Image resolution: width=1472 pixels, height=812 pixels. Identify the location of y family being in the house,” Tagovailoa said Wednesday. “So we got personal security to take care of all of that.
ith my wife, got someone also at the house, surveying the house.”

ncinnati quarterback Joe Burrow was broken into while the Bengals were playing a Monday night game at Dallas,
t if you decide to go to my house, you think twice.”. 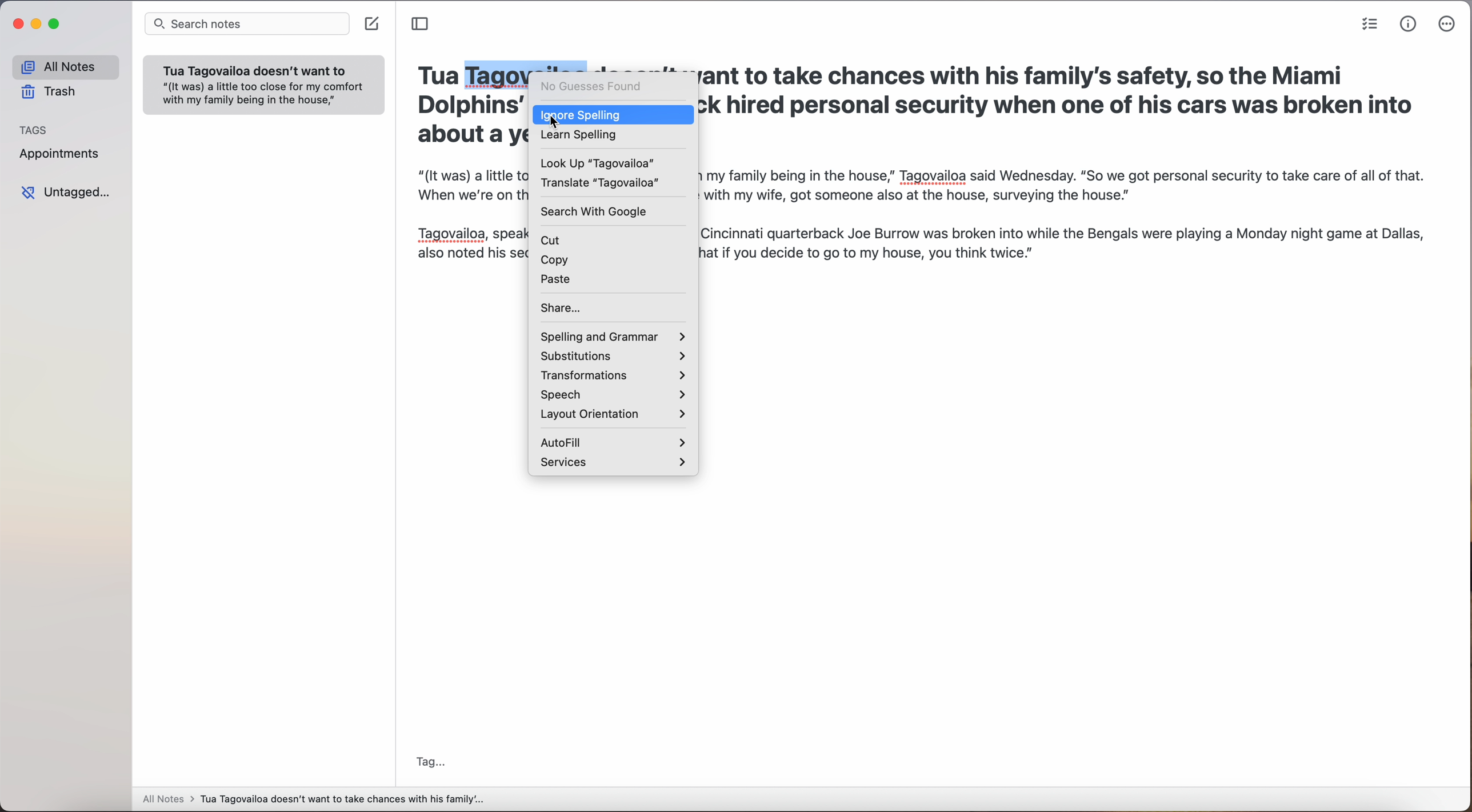
(1078, 213).